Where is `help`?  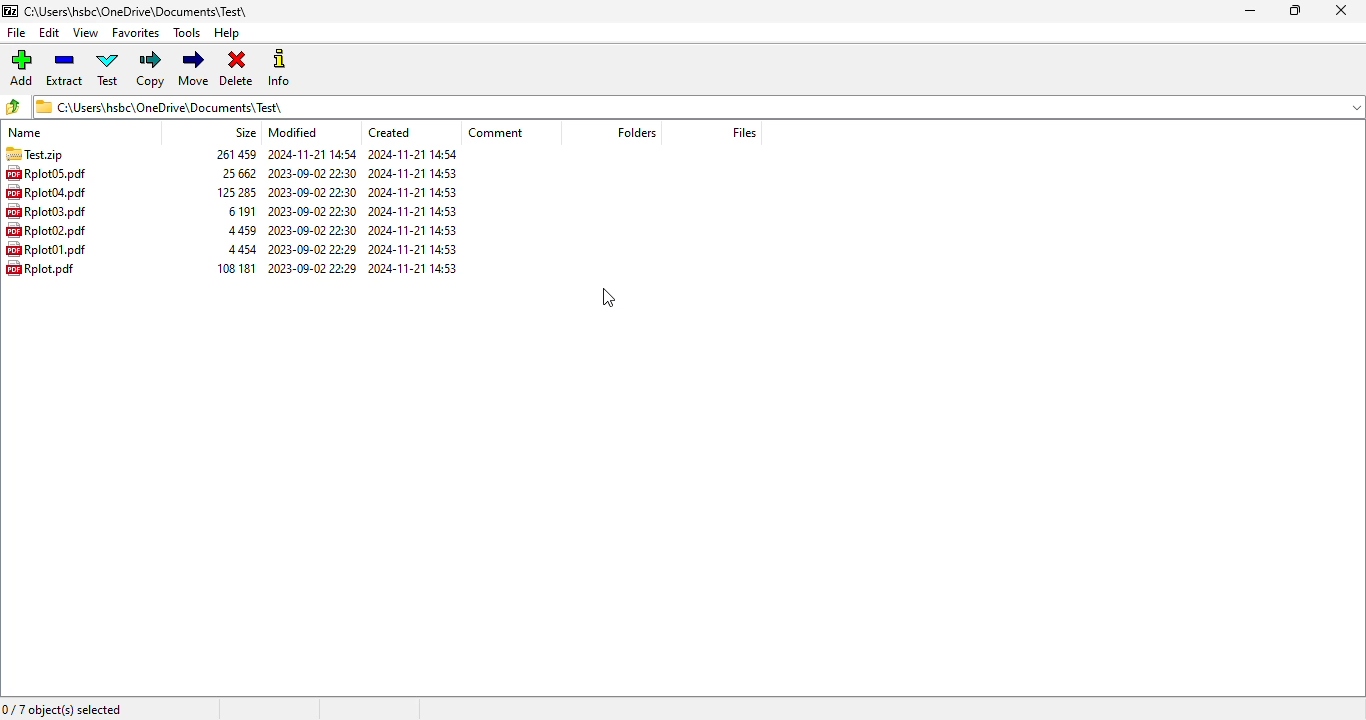 help is located at coordinates (227, 33).